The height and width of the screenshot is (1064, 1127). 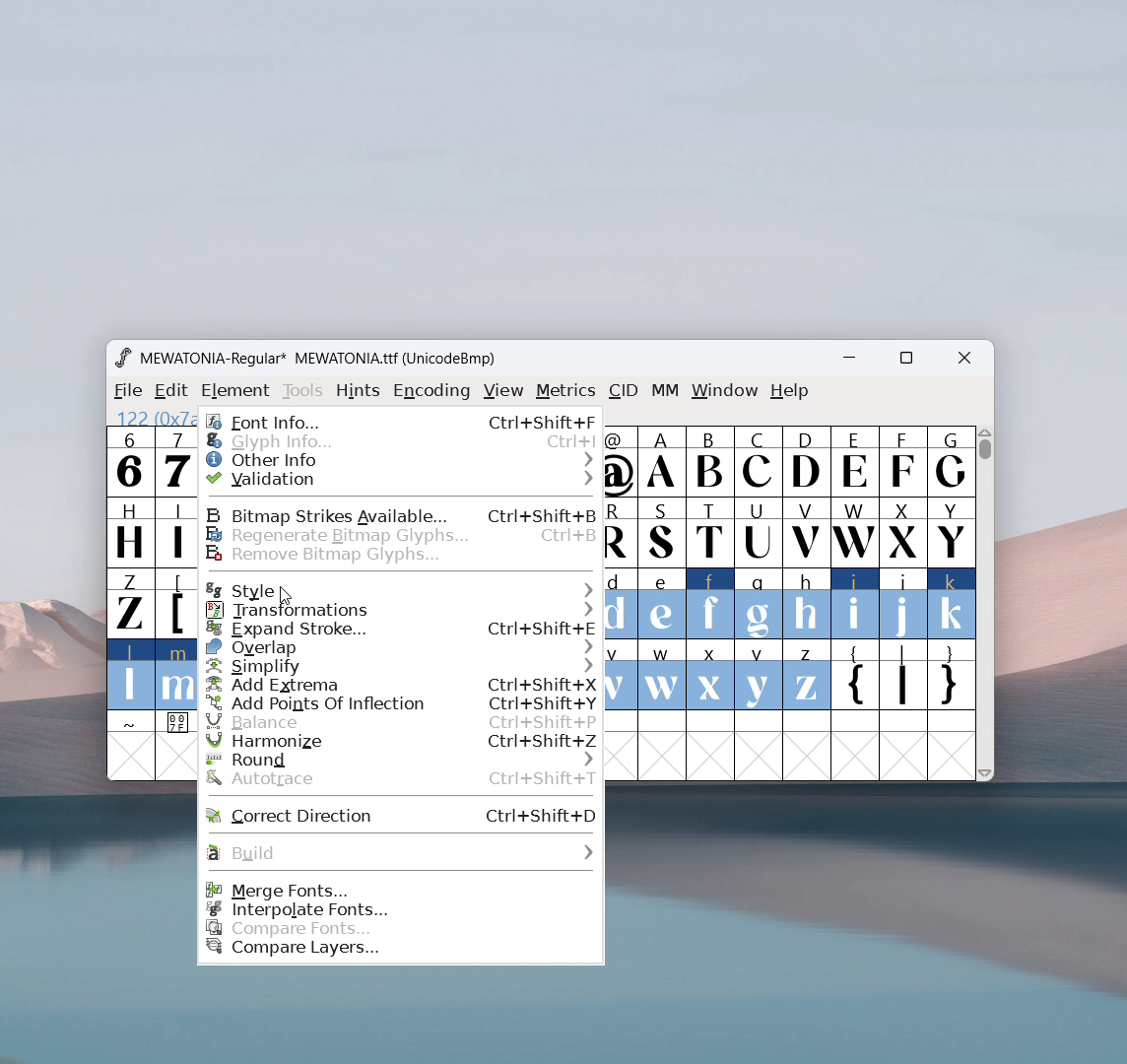 What do you see at coordinates (711, 533) in the screenshot?
I see `T` at bounding box center [711, 533].